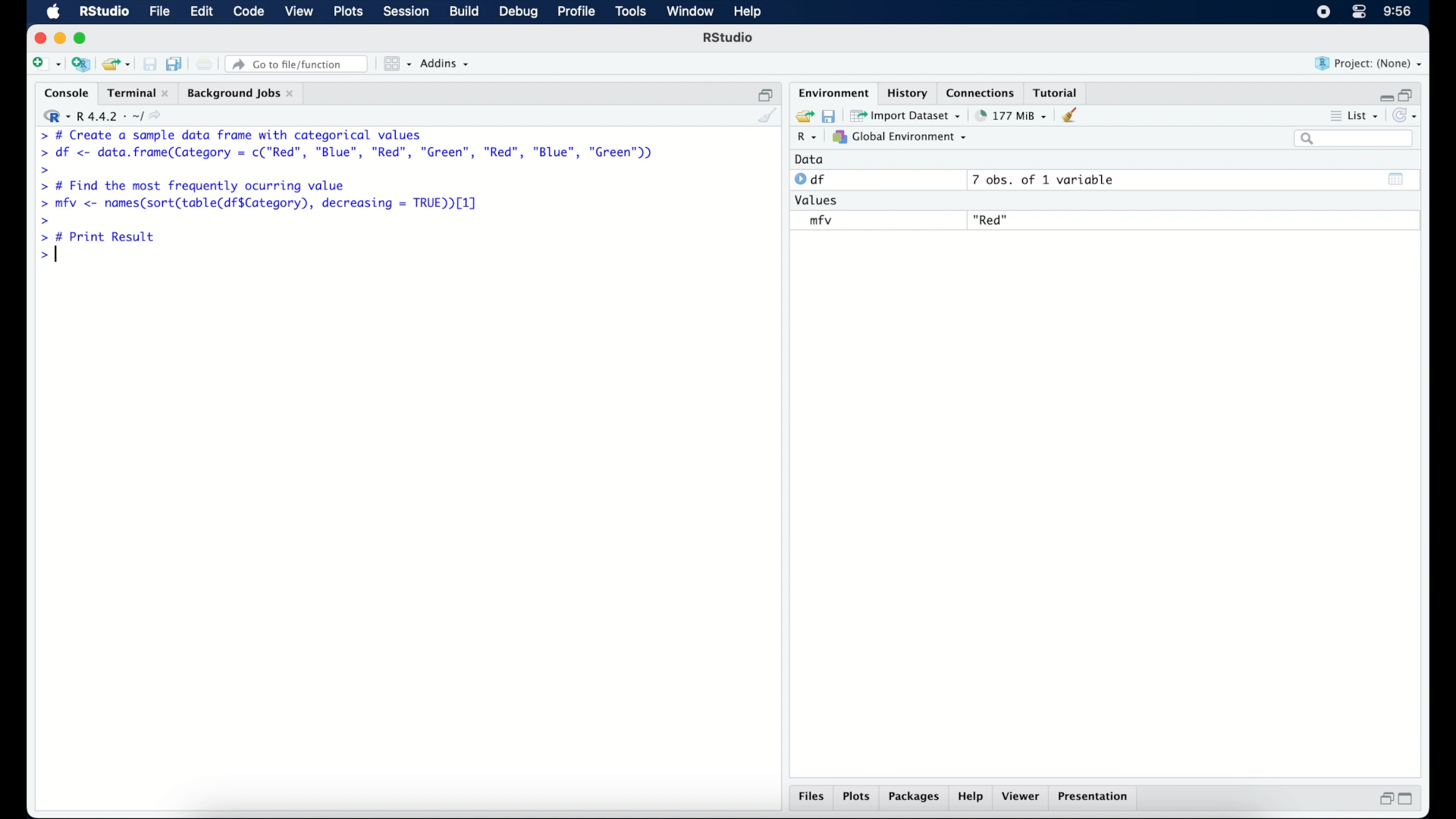 This screenshot has width=1456, height=819. Describe the element at coordinates (1398, 181) in the screenshot. I see `show output window` at that location.